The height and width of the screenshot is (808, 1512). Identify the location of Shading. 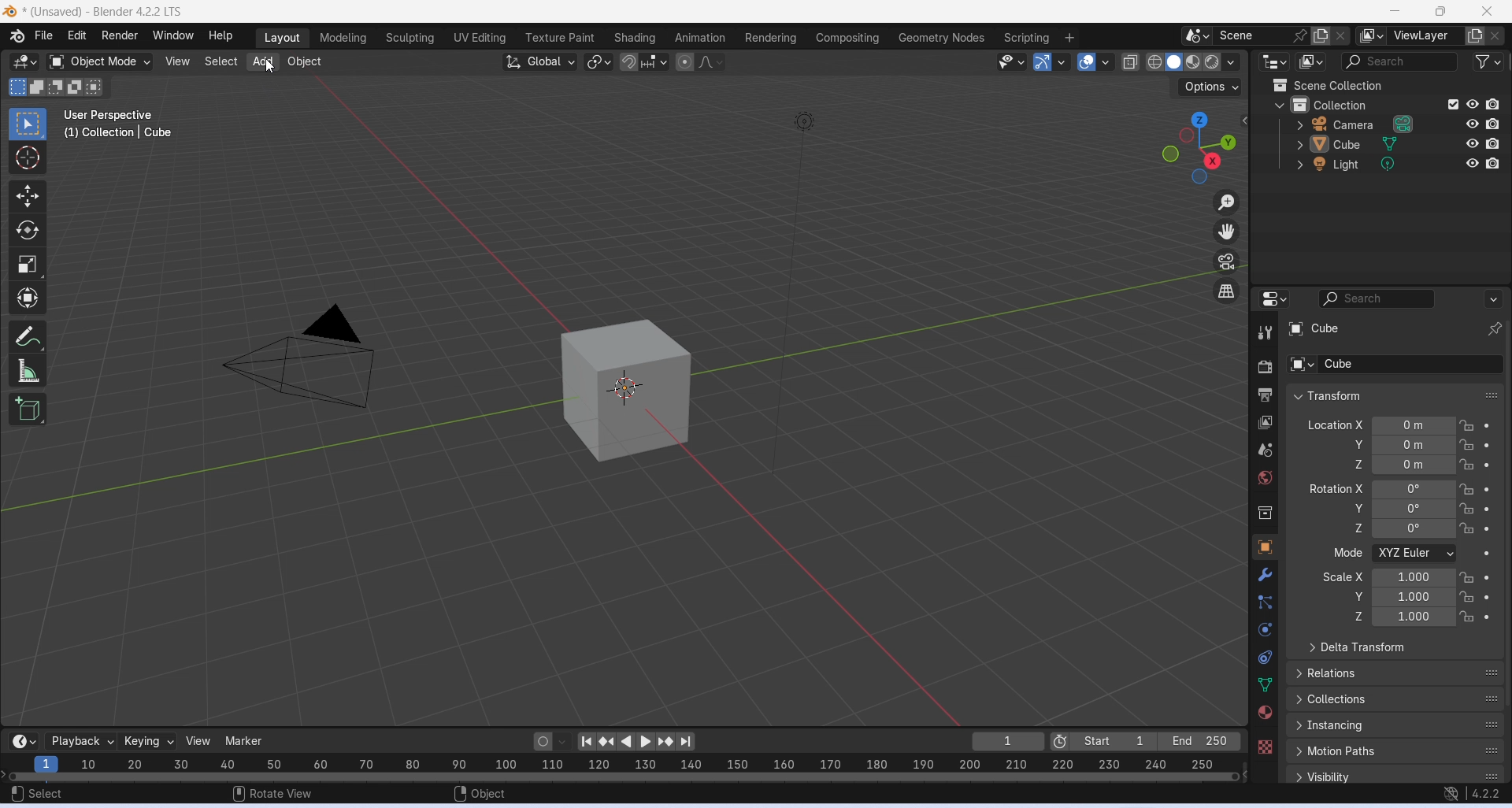
(633, 38).